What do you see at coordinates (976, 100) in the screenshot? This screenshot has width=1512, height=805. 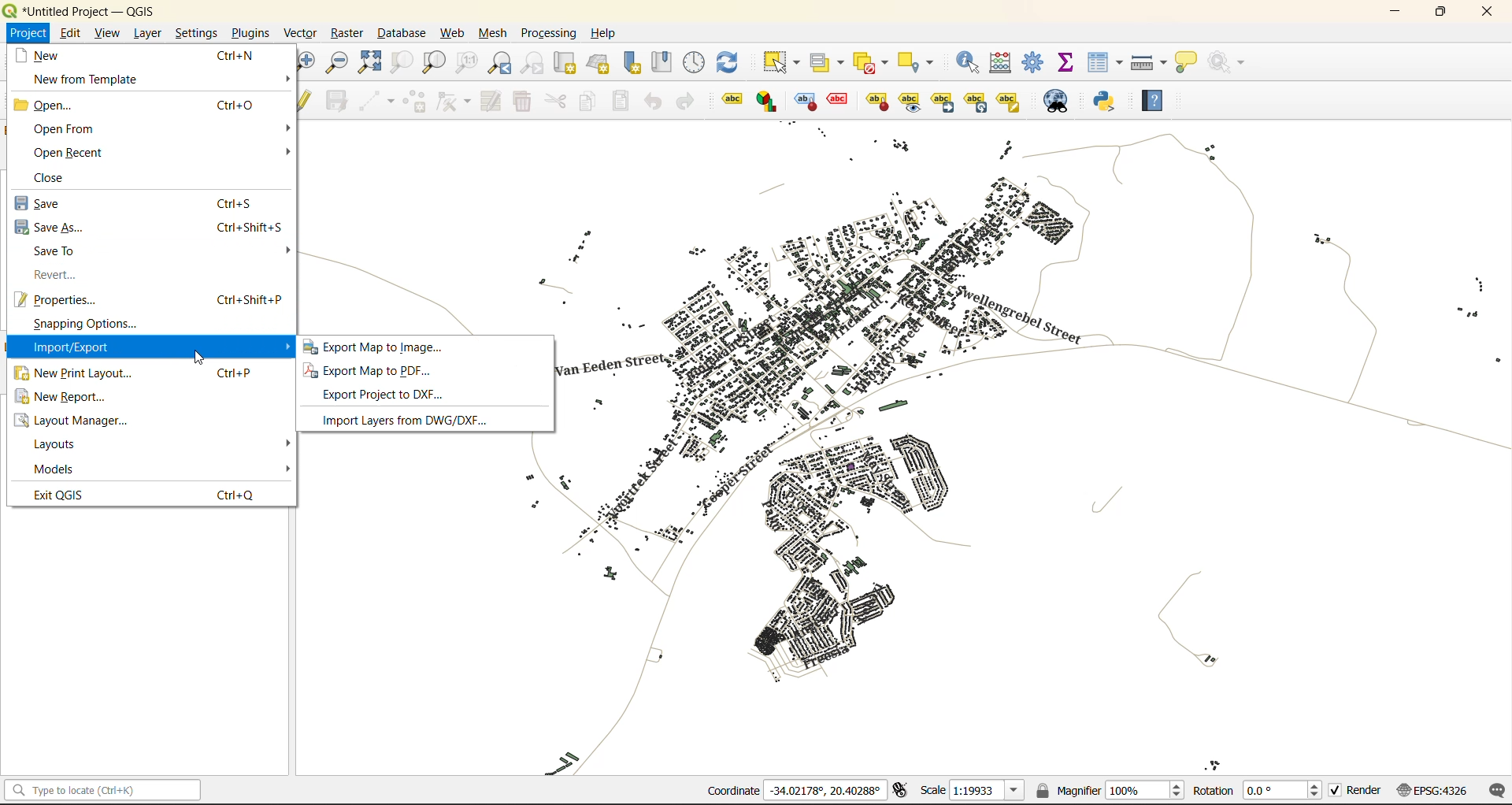 I see `Rotate a label` at bounding box center [976, 100].